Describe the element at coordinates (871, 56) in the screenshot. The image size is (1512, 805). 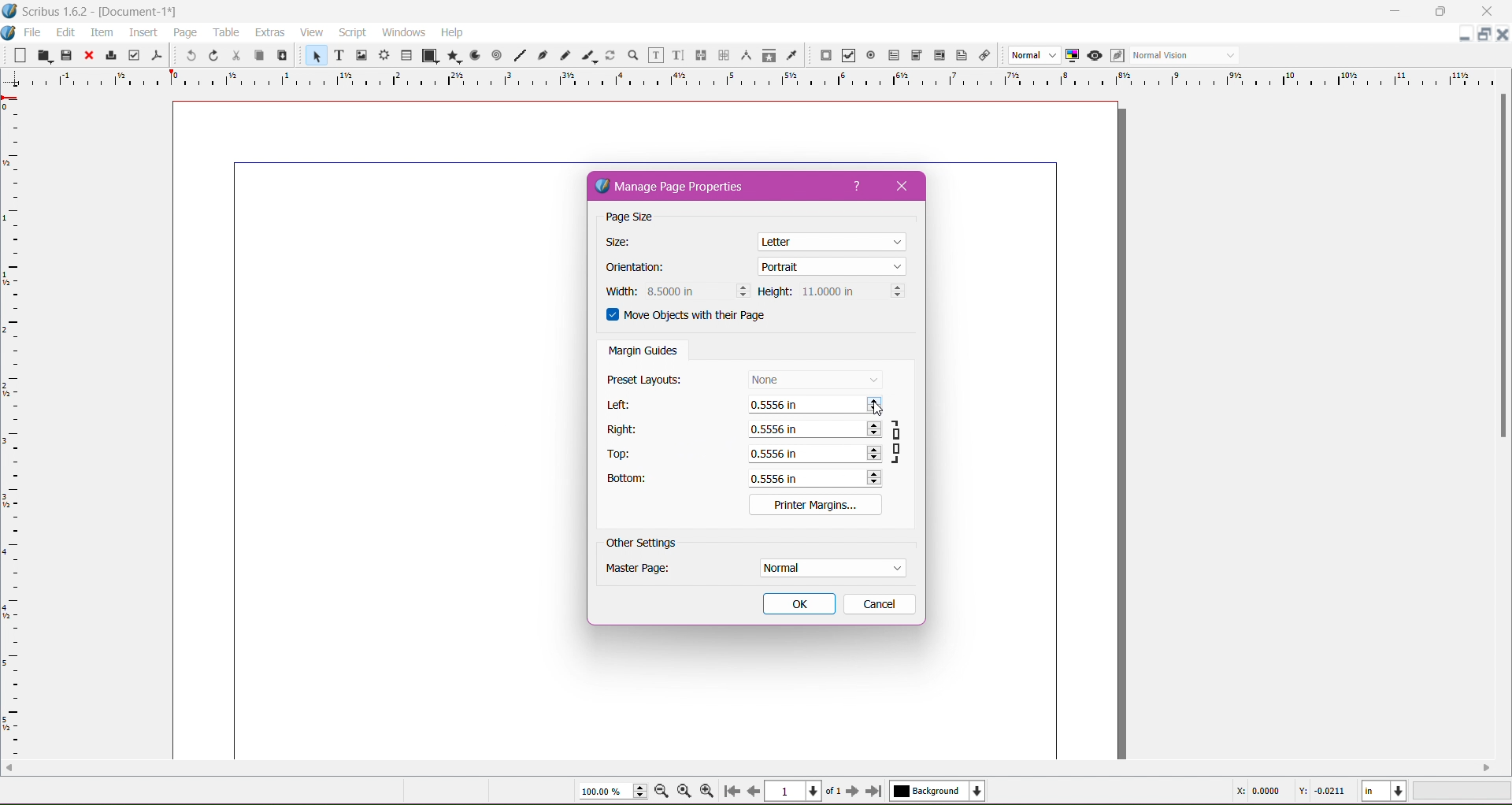
I see `PDF Radio Button` at that location.